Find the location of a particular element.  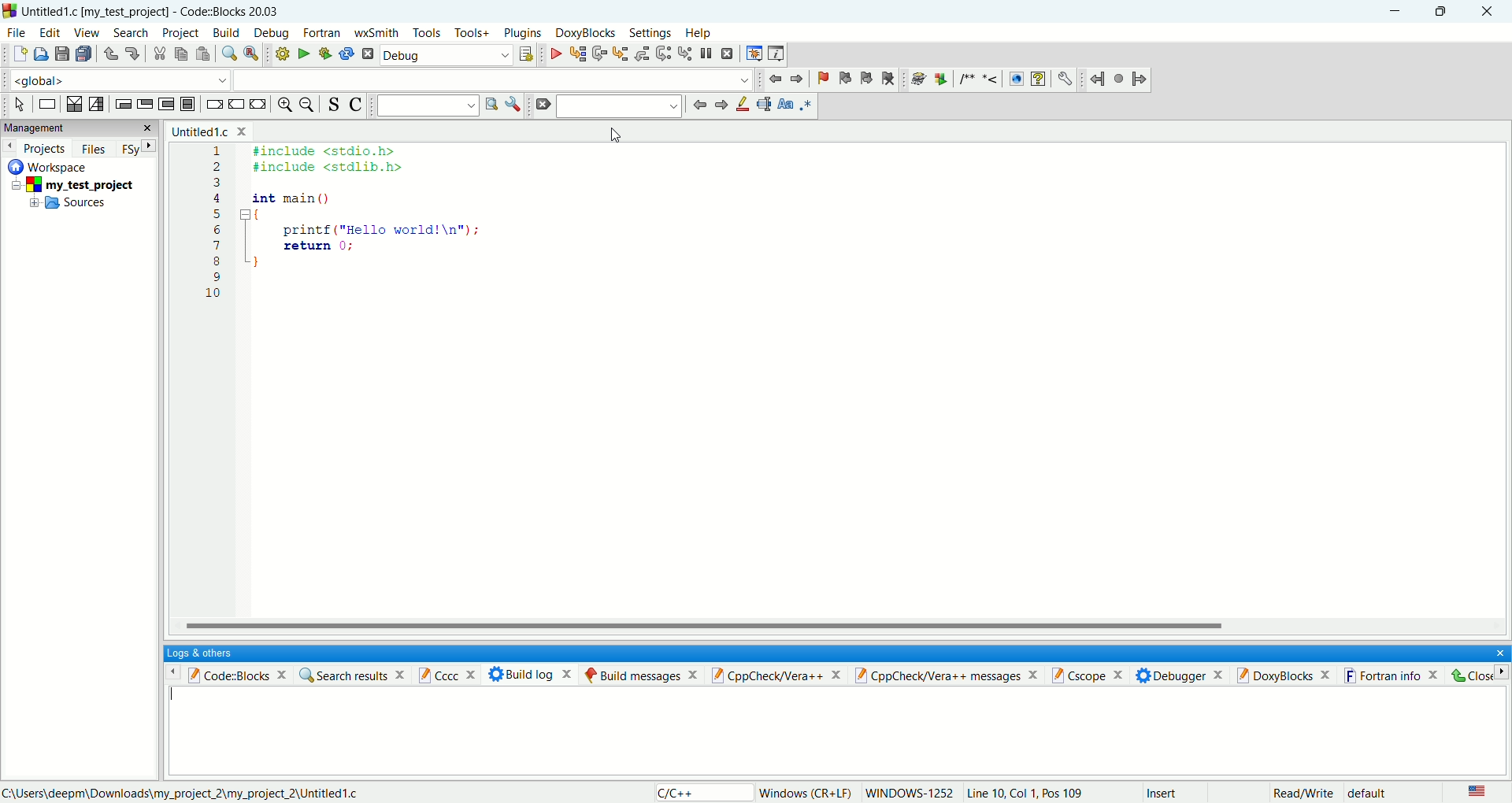

jump next is located at coordinates (773, 81).